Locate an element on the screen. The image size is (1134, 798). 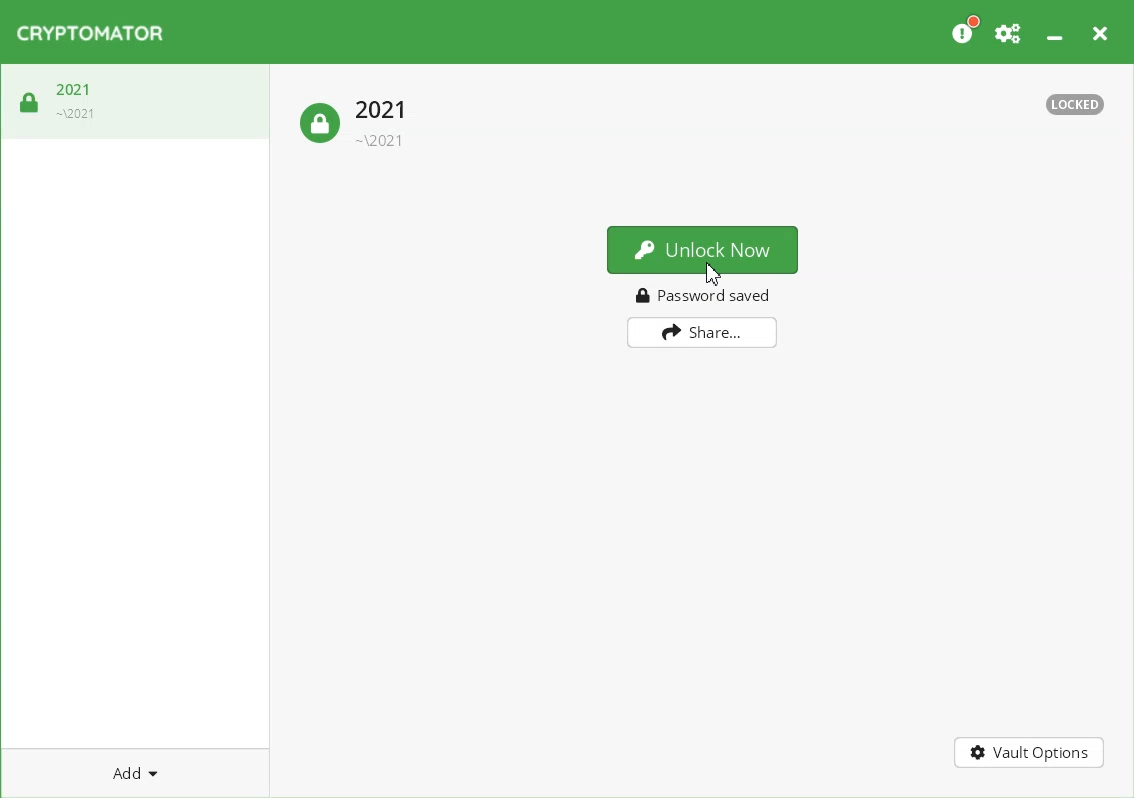
Password saved is located at coordinates (700, 296).